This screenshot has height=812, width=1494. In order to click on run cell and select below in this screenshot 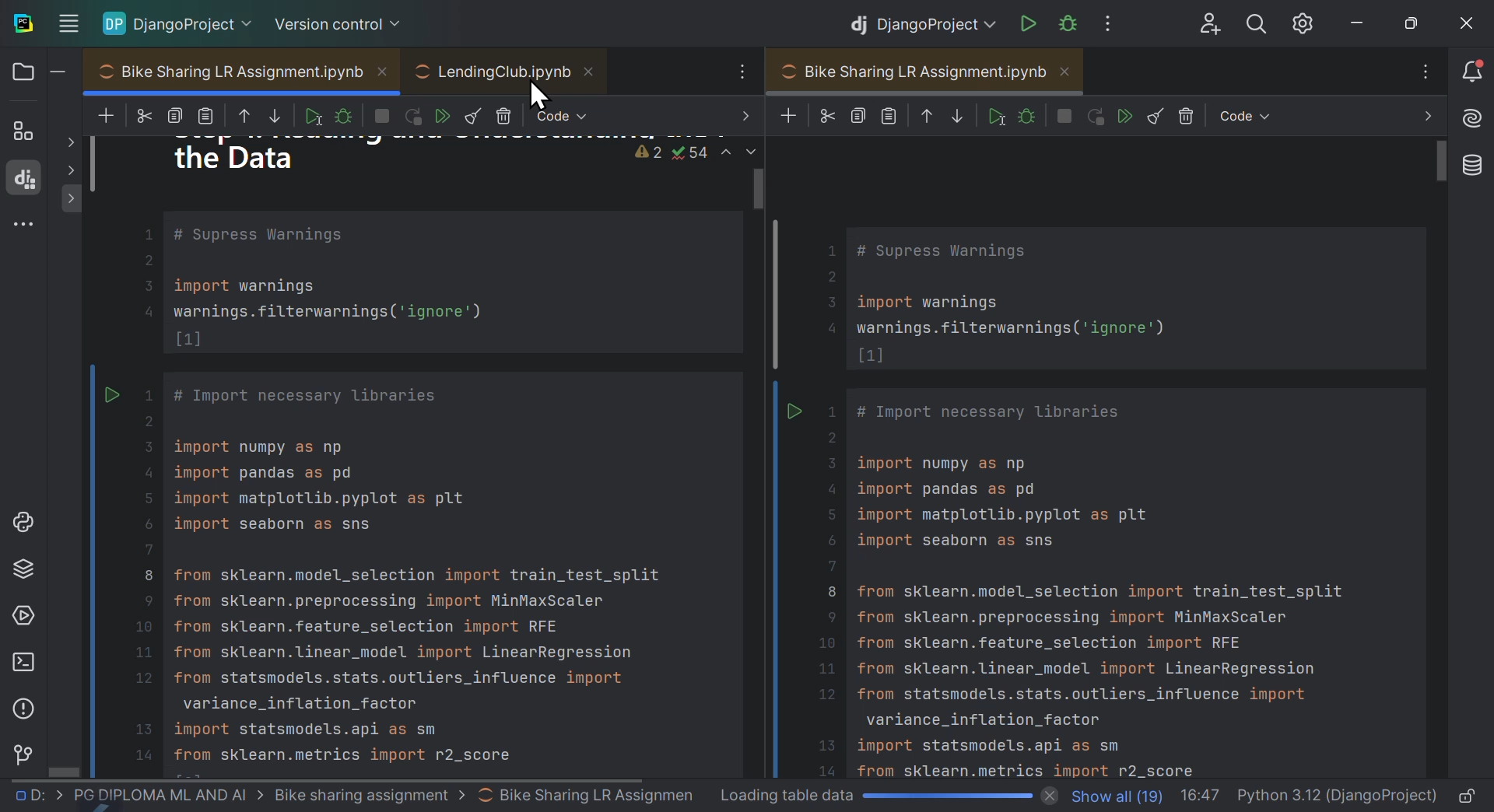, I will do `click(312, 115)`.